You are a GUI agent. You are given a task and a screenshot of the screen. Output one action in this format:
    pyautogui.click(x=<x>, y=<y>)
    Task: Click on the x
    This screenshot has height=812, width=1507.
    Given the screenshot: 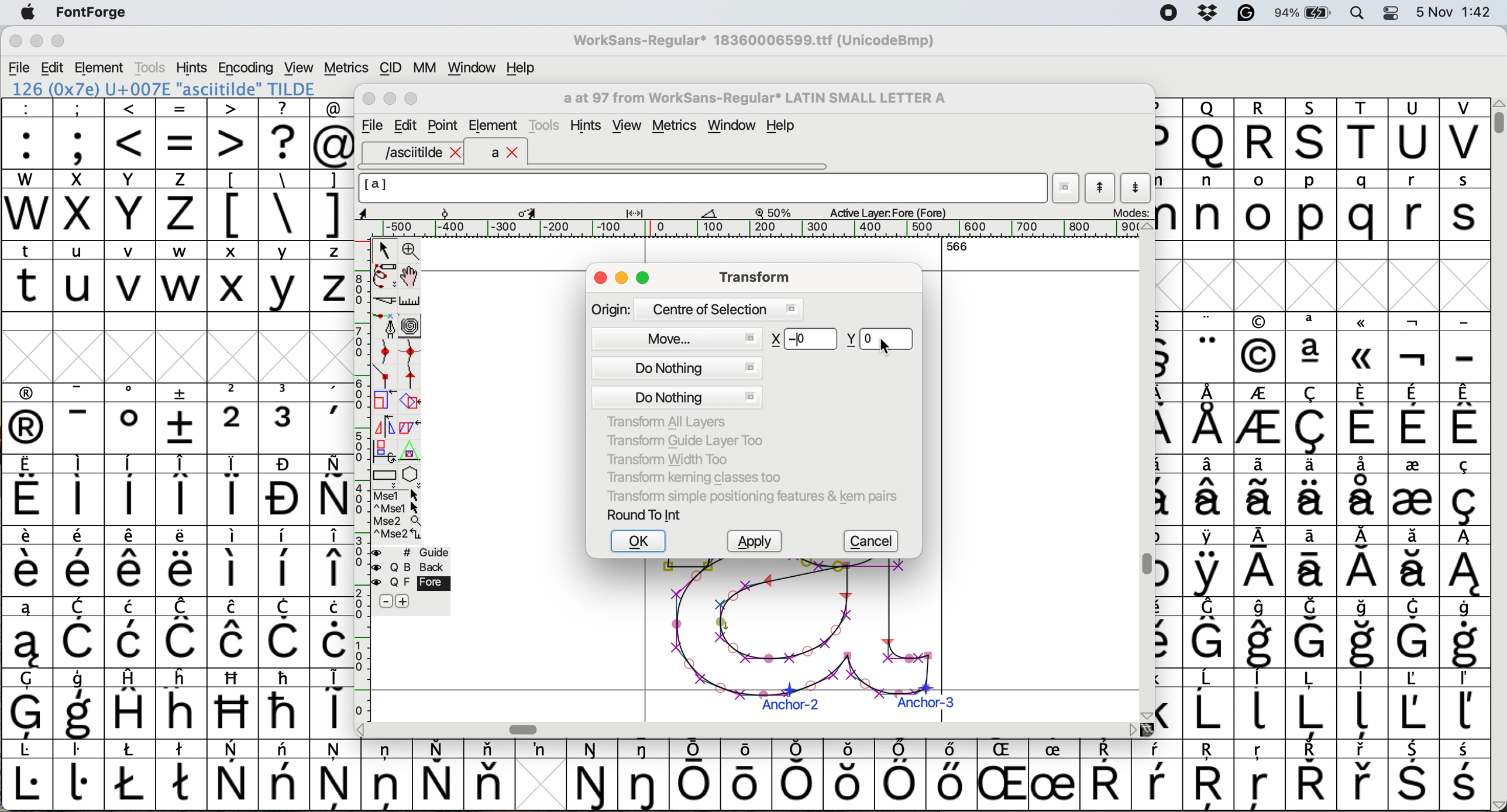 What is the action you would take?
    pyautogui.click(x=232, y=276)
    